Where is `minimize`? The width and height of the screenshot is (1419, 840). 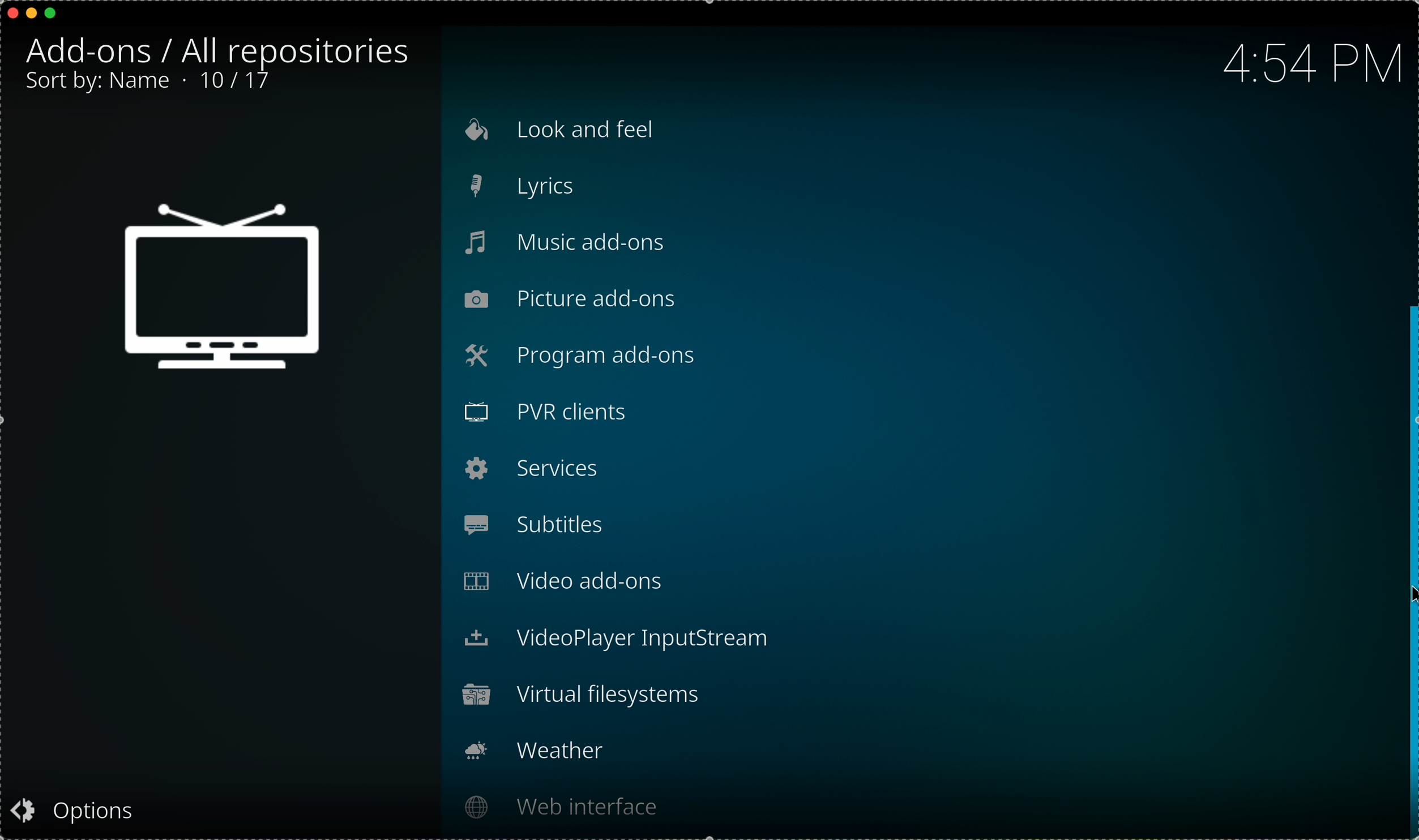
minimize is located at coordinates (33, 13).